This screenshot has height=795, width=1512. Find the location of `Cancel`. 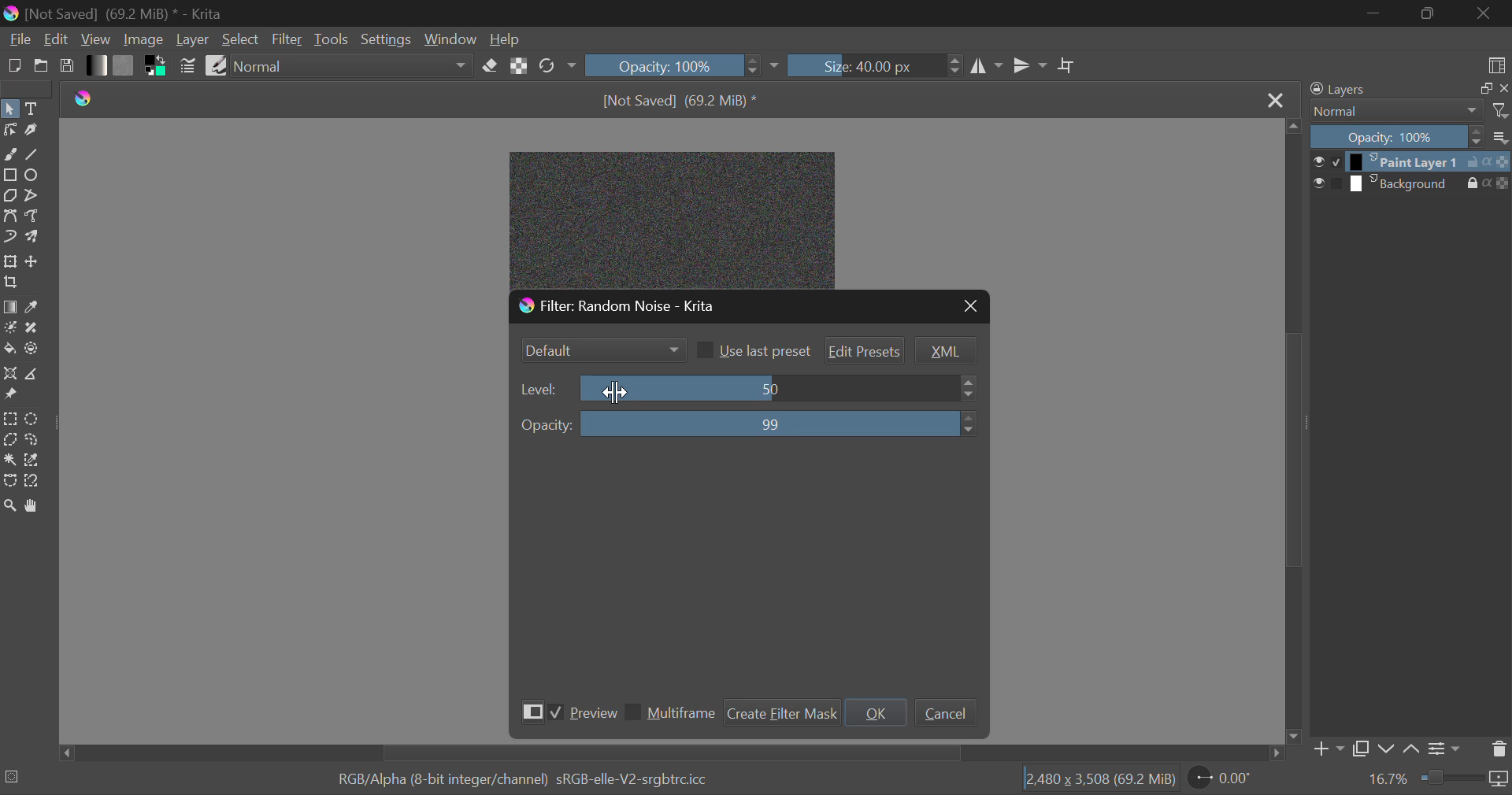

Cancel is located at coordinates (945, 713).